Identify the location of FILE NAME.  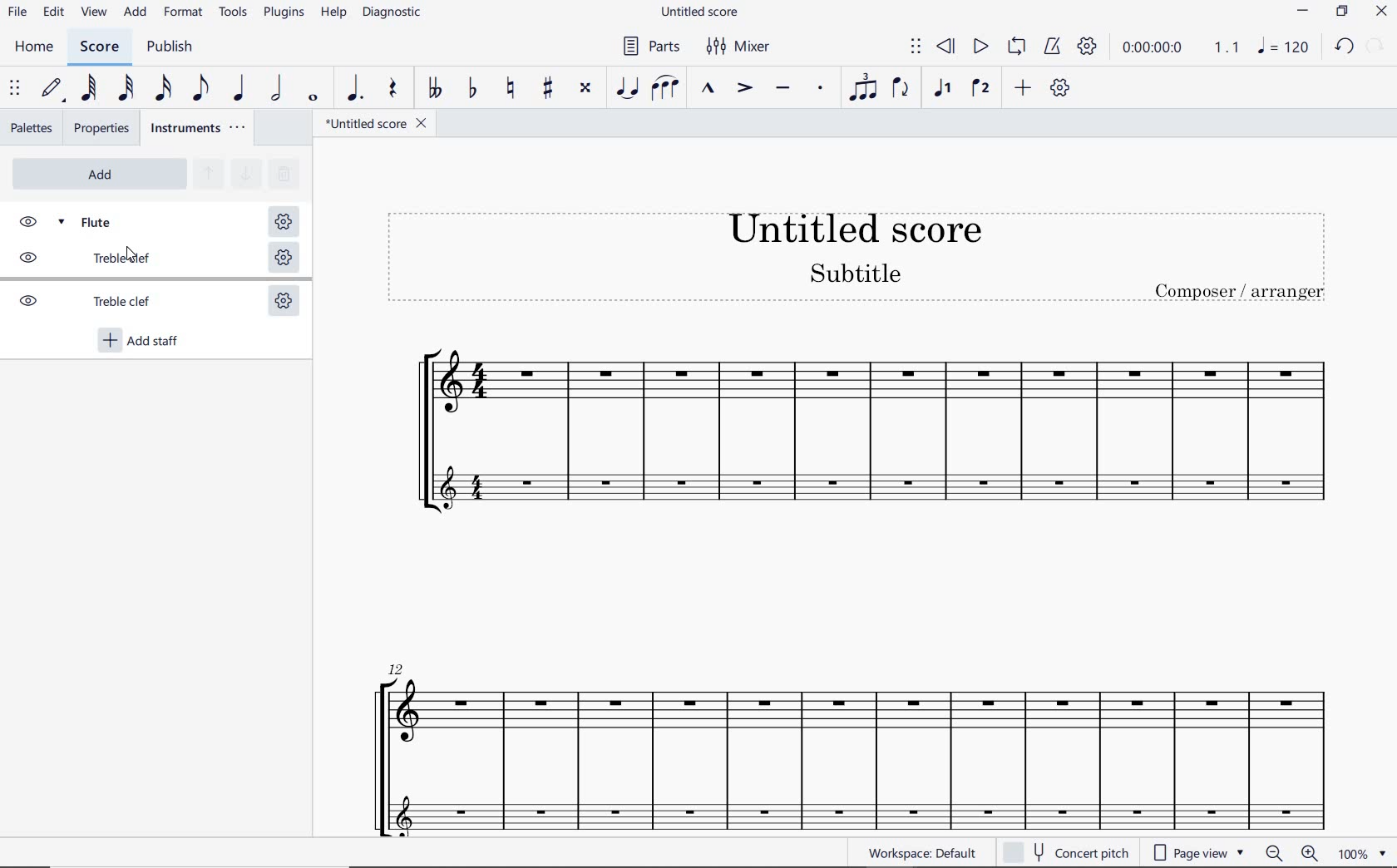
(699, 11).